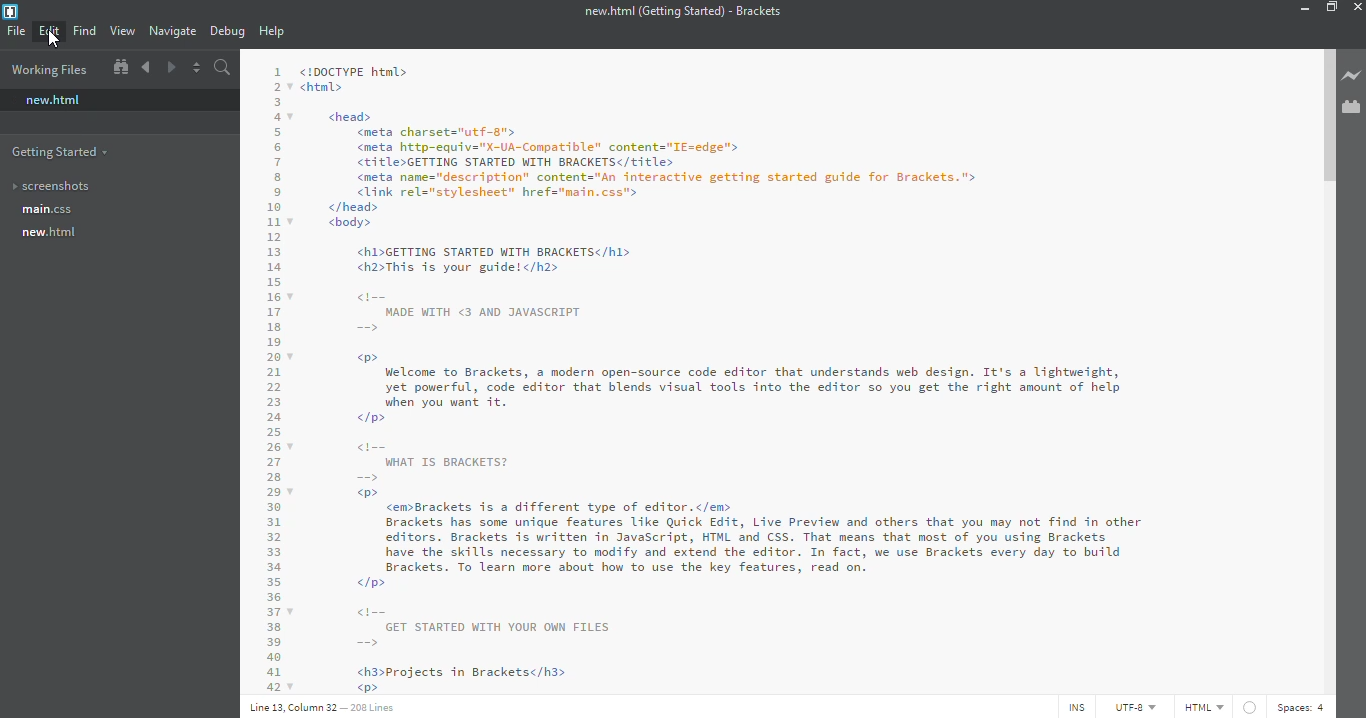 The width and height of the screenshot is (1366, 718). What do you see at coordinates (1134, 706) in the screenshot?
I see `utf` at bounding box center [1134, 706].